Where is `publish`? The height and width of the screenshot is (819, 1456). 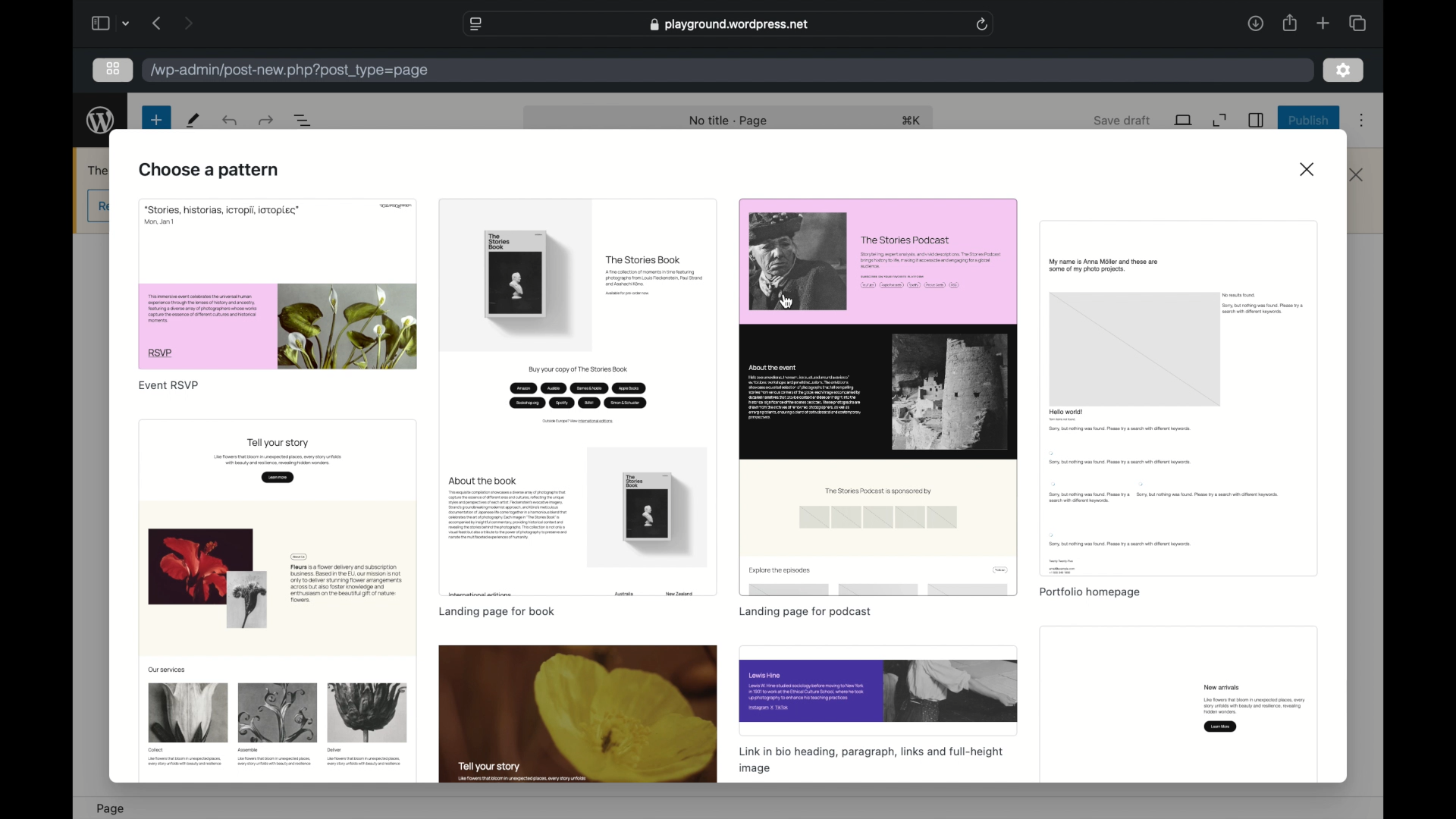
publish is located at coordinates (1310, 121).